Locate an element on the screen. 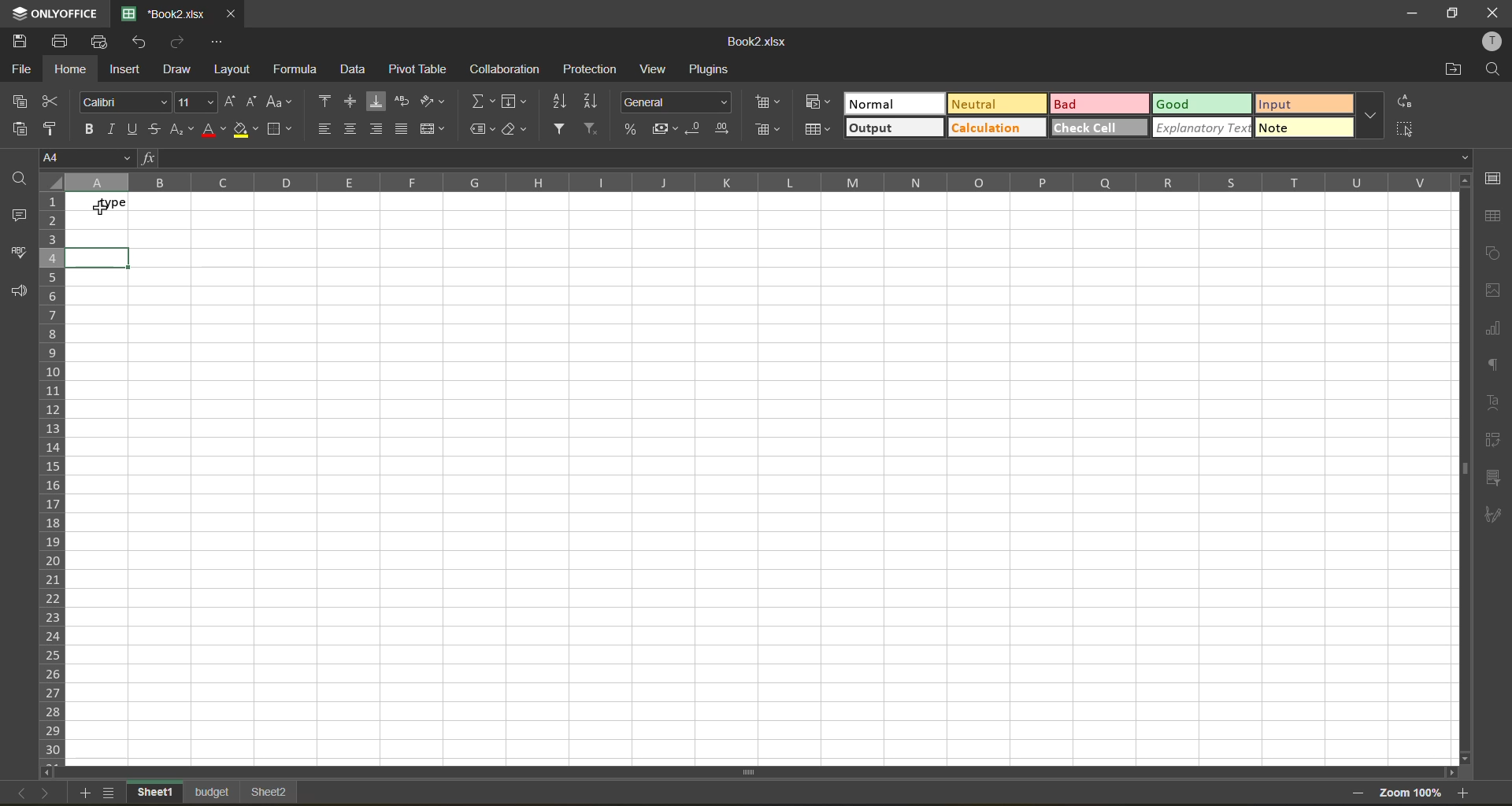  decrement size is located at coordinates (253, 102).